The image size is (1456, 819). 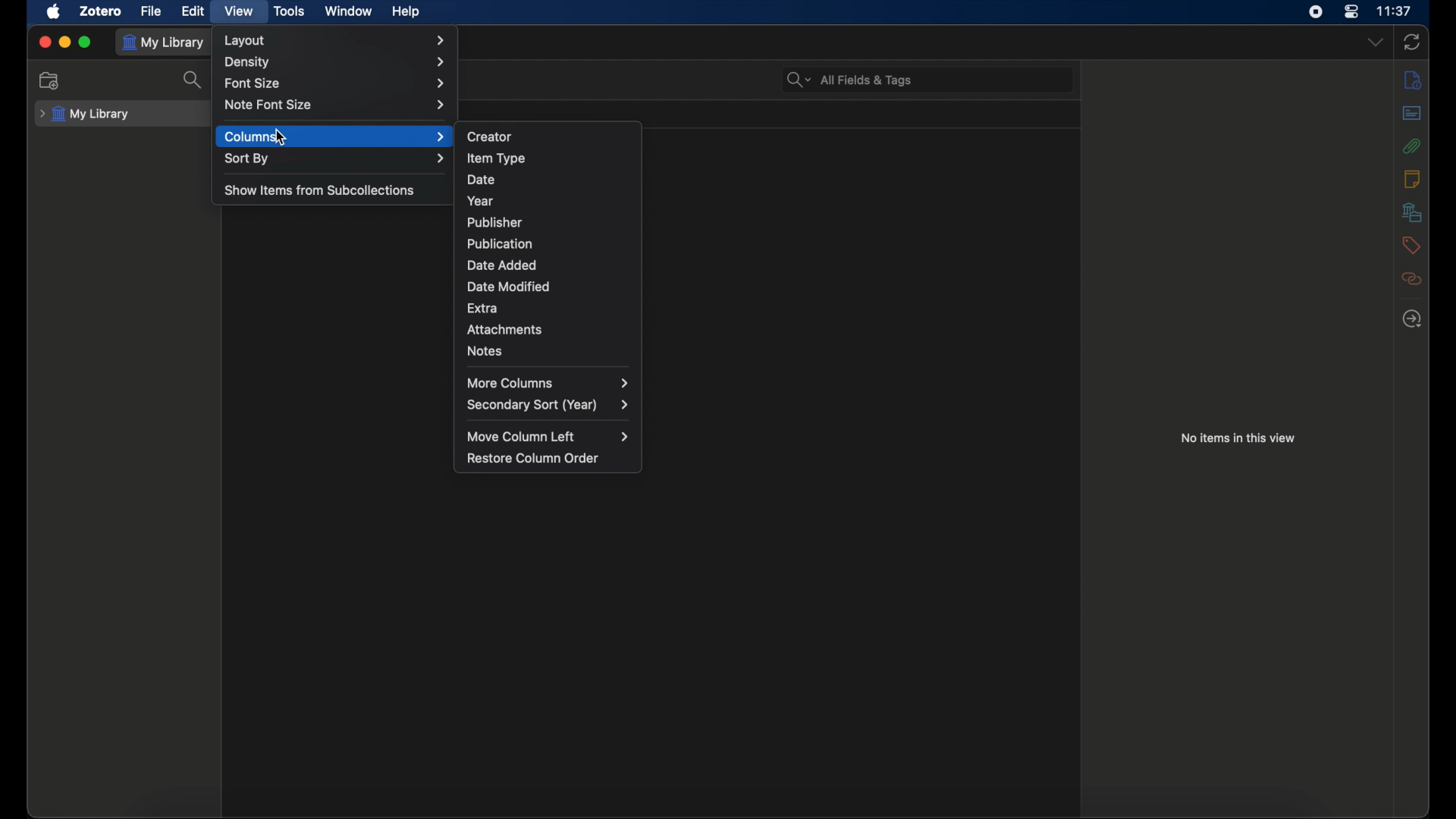 I want to click on date modified, so click(x=509, y=286).